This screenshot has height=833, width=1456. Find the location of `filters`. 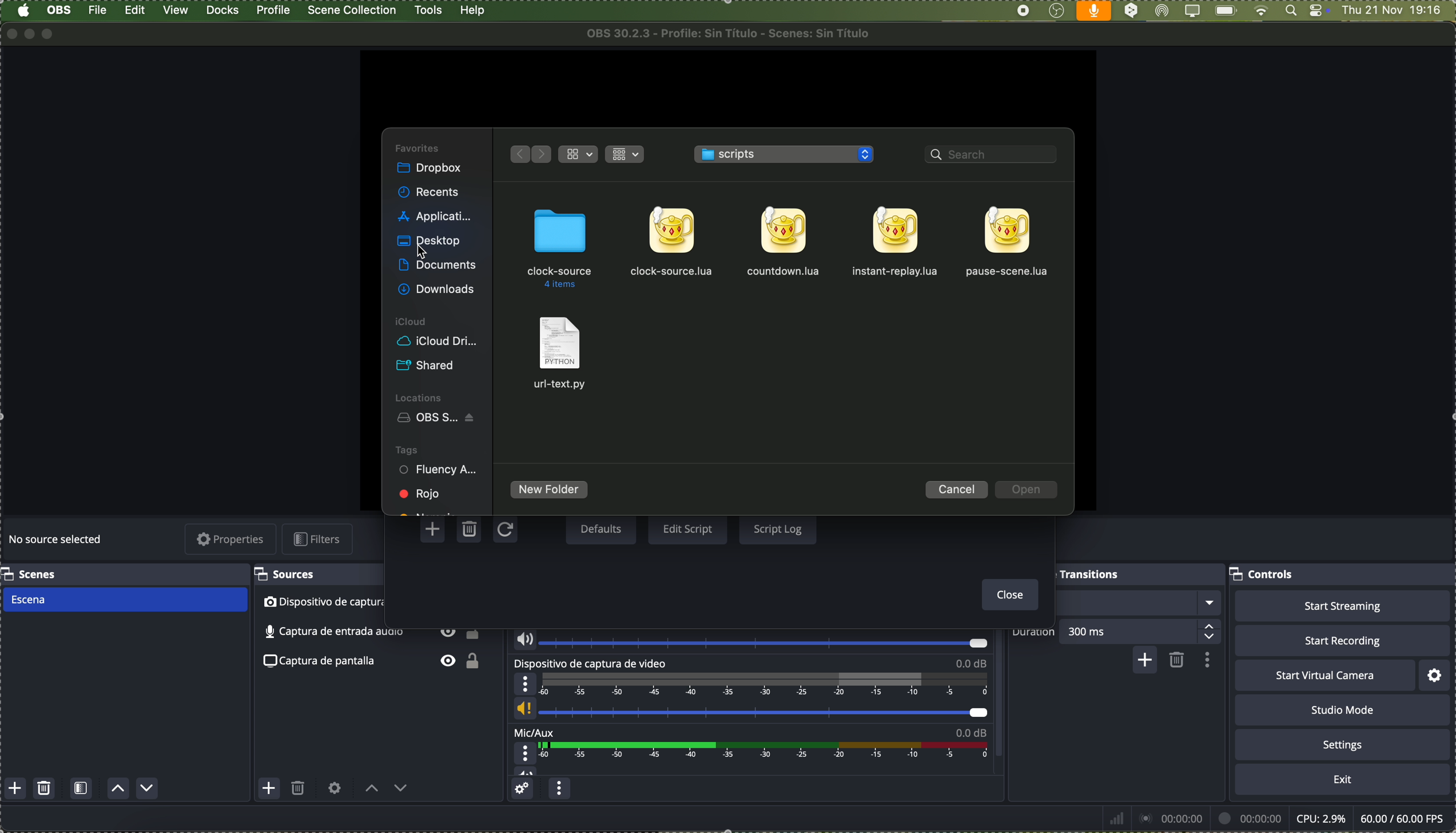

filters is located at coordinates (320, 539).